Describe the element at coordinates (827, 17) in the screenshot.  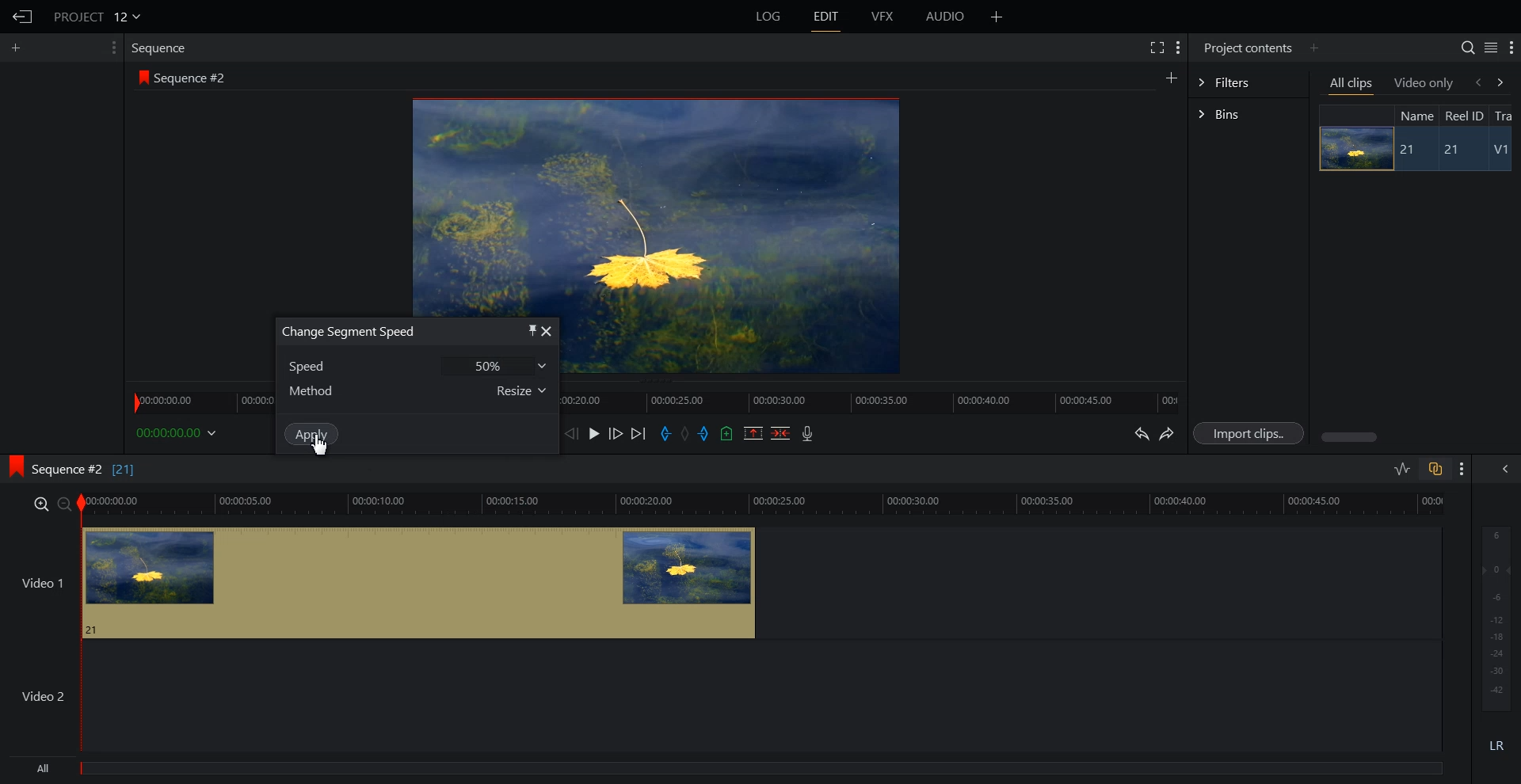
I see `EDIT` at that location.